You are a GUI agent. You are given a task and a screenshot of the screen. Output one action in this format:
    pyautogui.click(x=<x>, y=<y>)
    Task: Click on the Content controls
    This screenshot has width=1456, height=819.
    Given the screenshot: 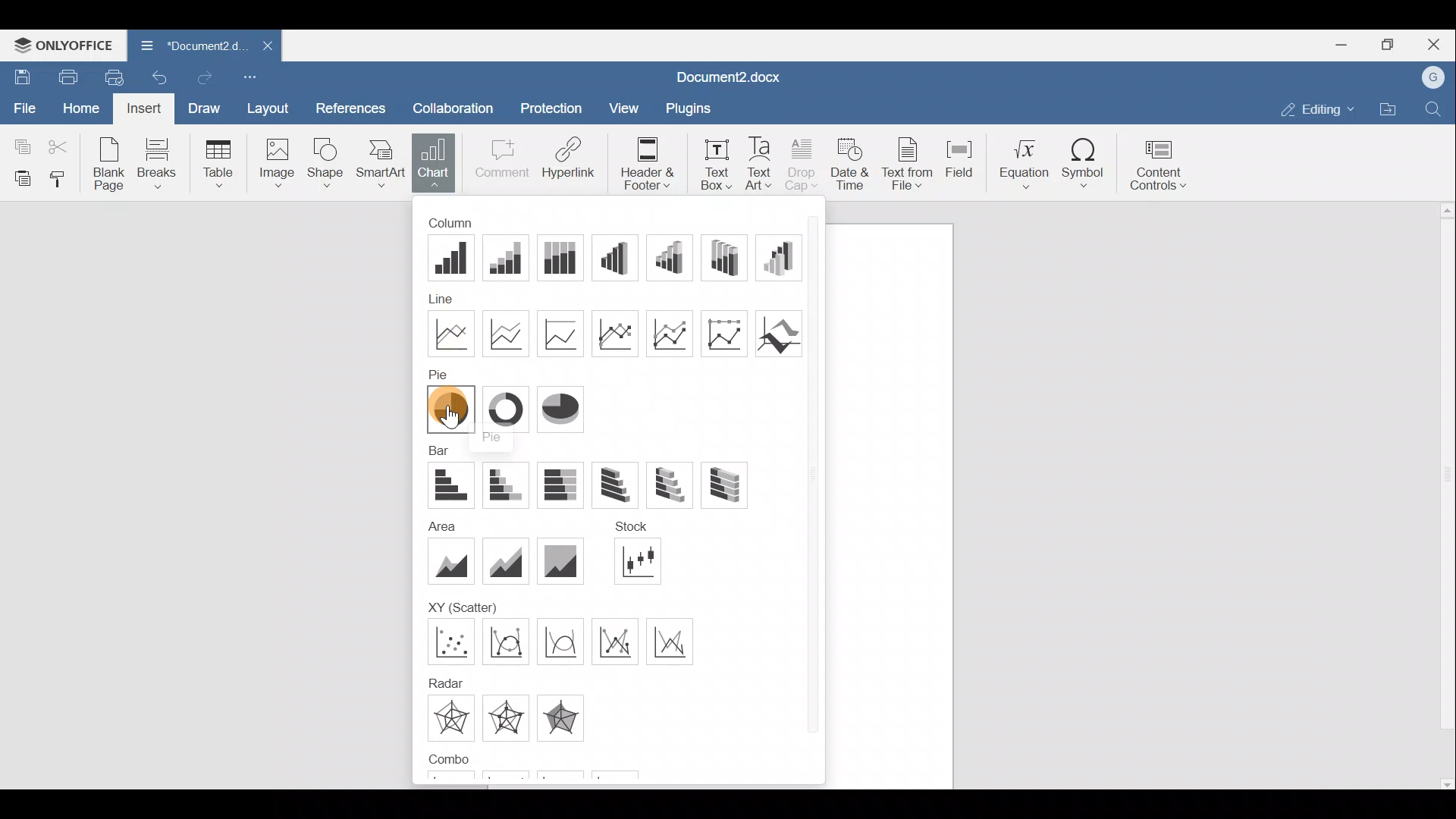 What is the action you would take?
    pyautogui.click(x=1161, y=165)
    